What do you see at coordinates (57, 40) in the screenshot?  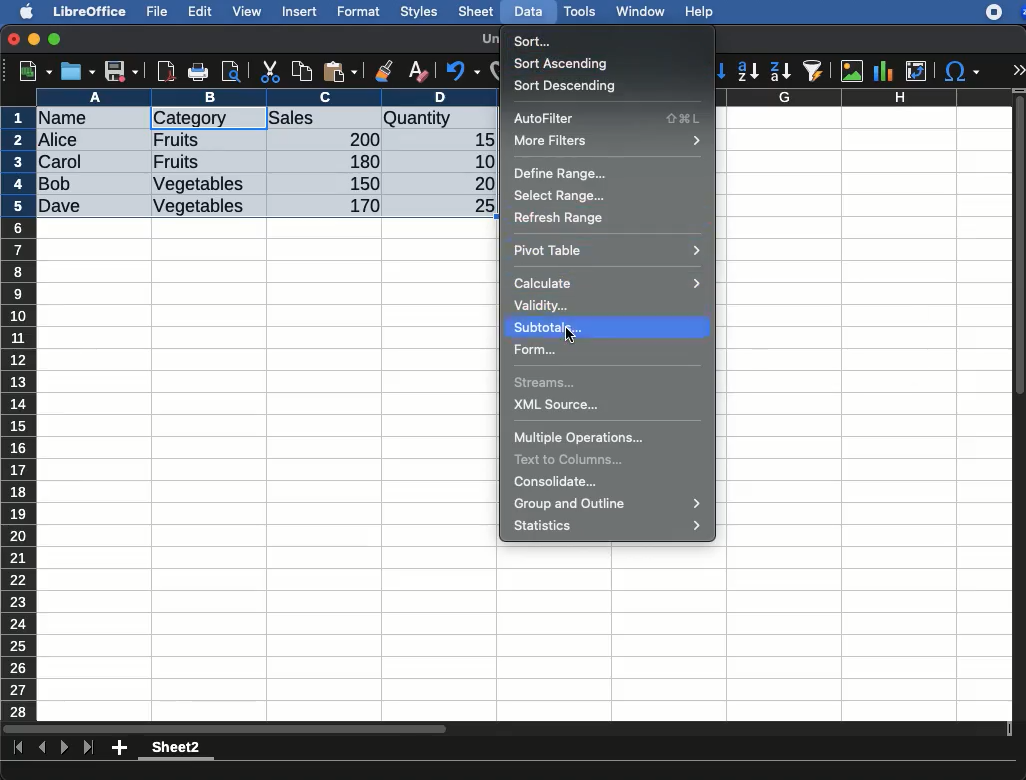 I see `maximize` at bounding box center [57, 40].